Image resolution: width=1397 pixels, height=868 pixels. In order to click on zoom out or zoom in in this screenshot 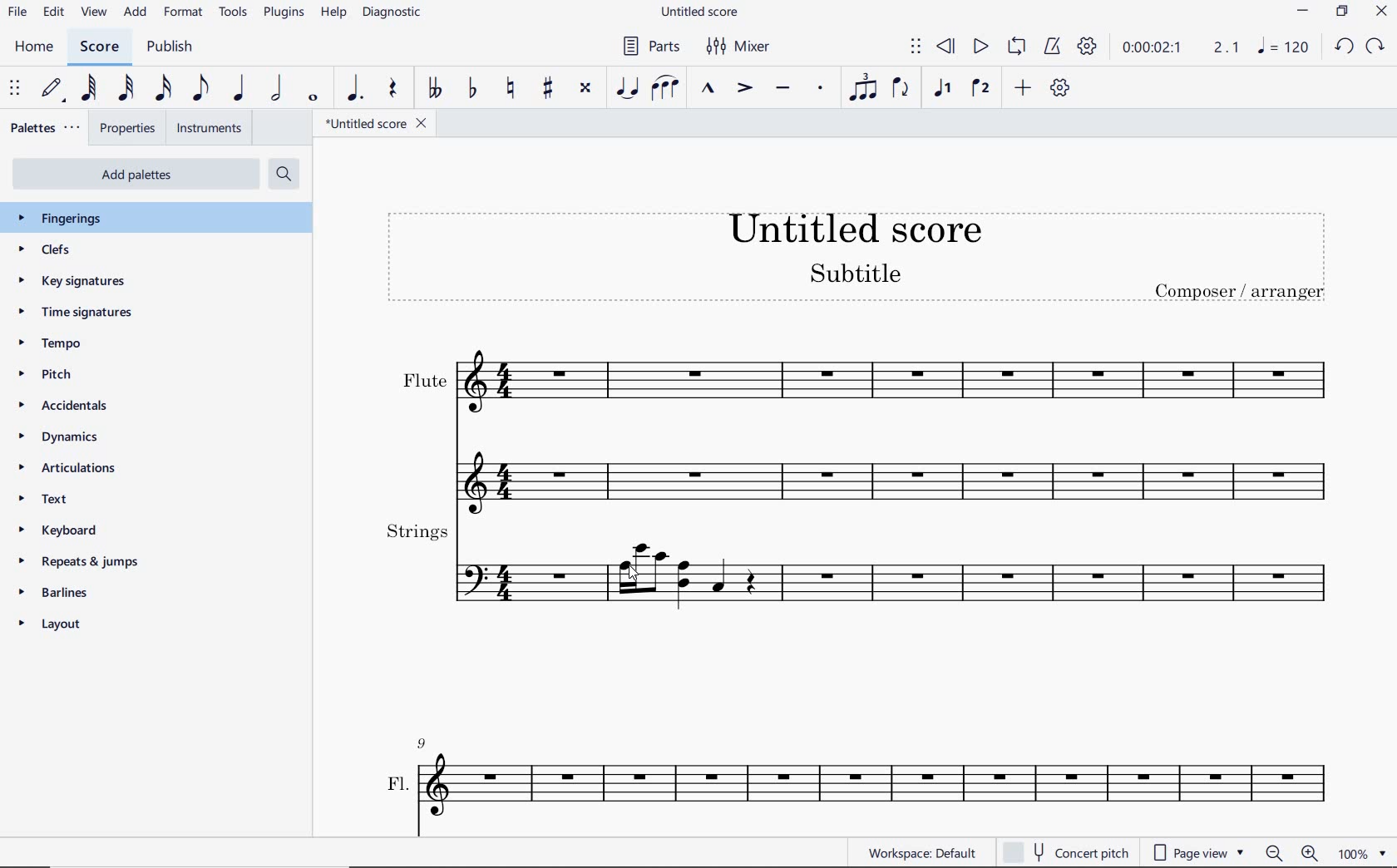, I will do `click(1292, 852)`.